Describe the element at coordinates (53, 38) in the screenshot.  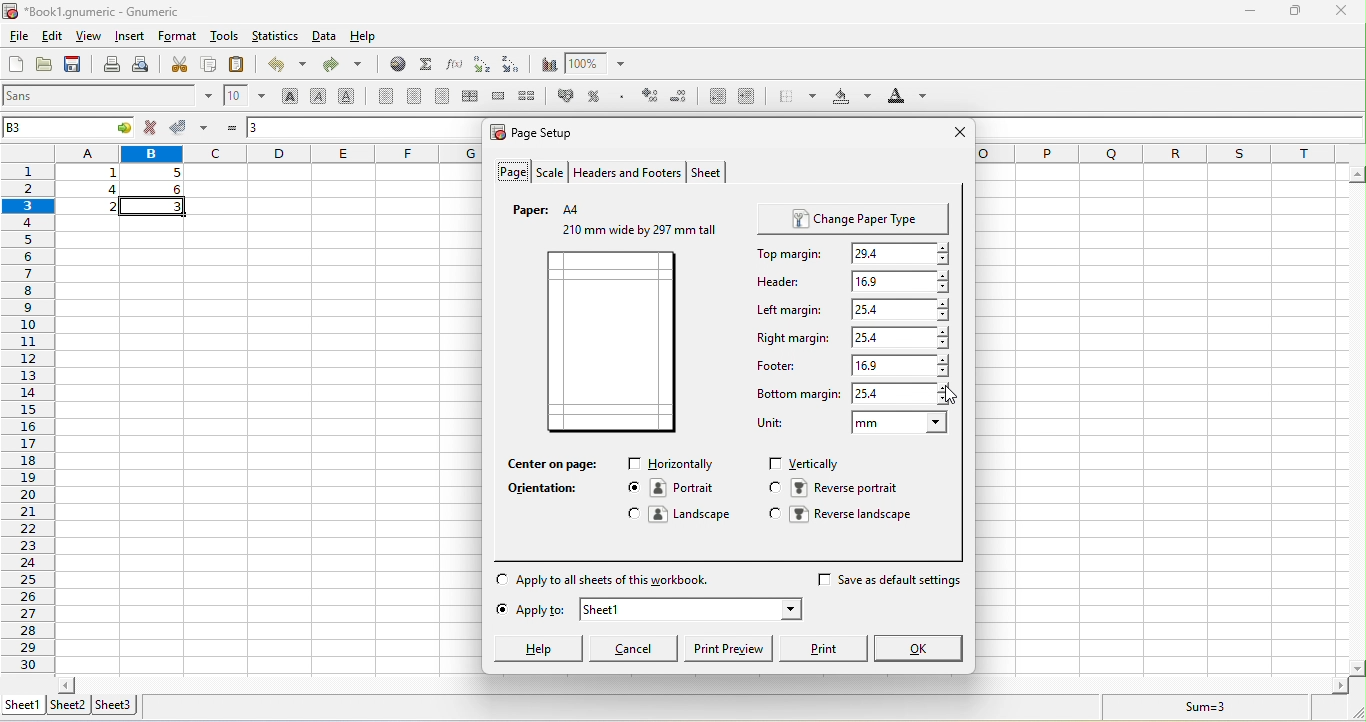
I see `edit` at that location.